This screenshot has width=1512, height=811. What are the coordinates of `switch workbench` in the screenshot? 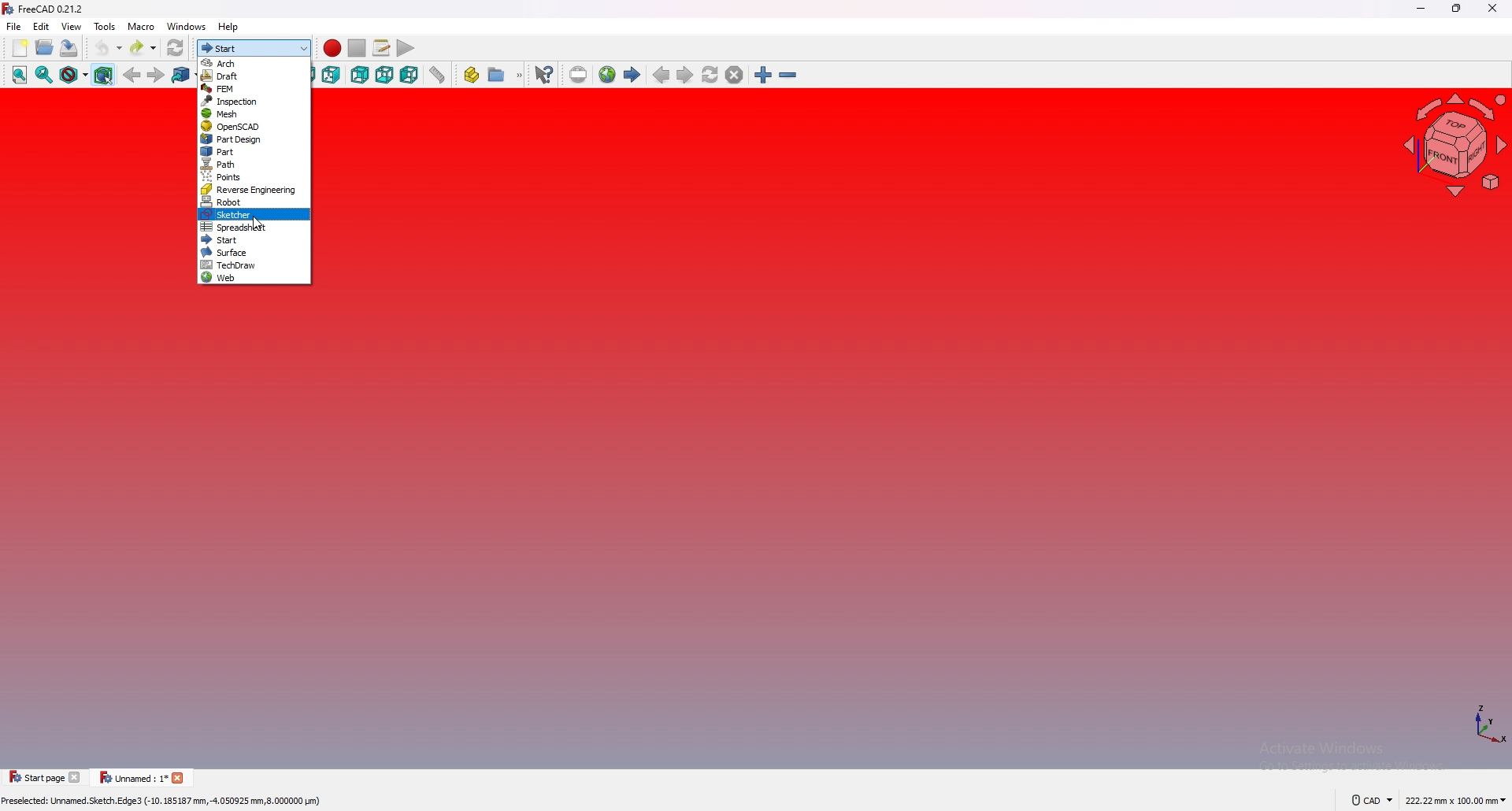 It's located at (255, 47).